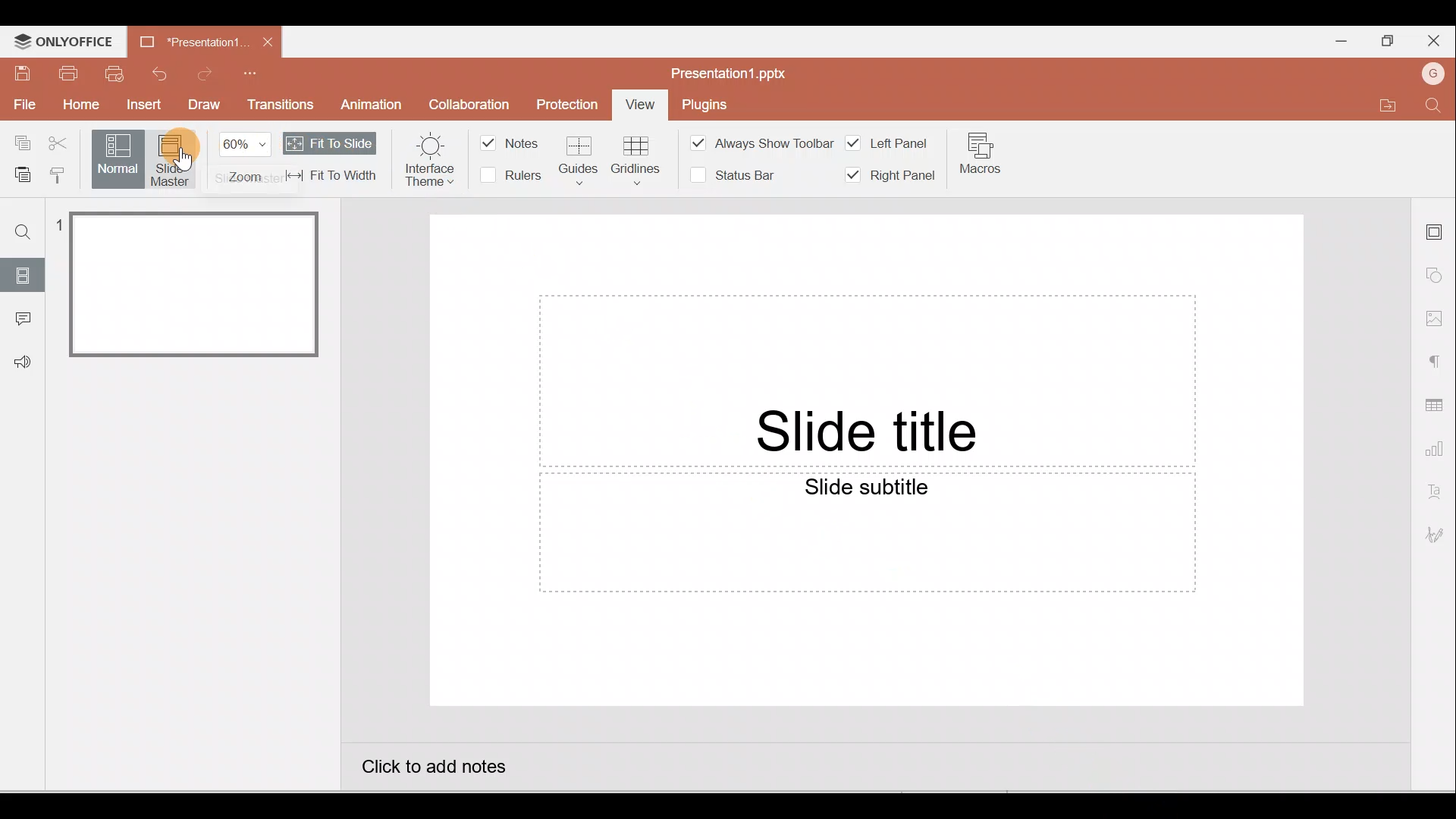 The height and width of the screenshot is (819, 1456). I want to click on View, so click(640, 105).